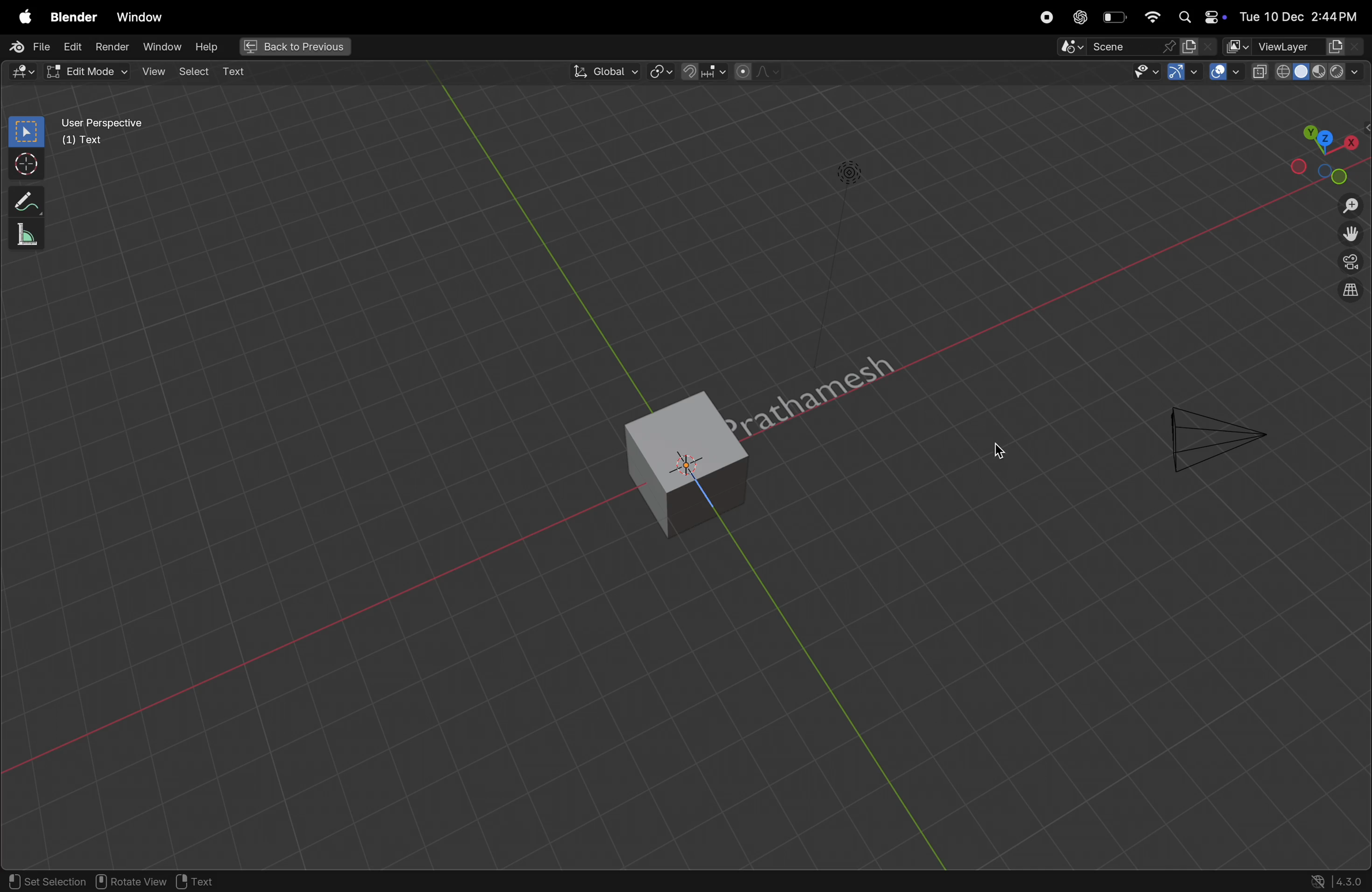 Image resolution: width=1372 pixels, height=892 pixels. I want to click on select toggle, so click(46, 882).